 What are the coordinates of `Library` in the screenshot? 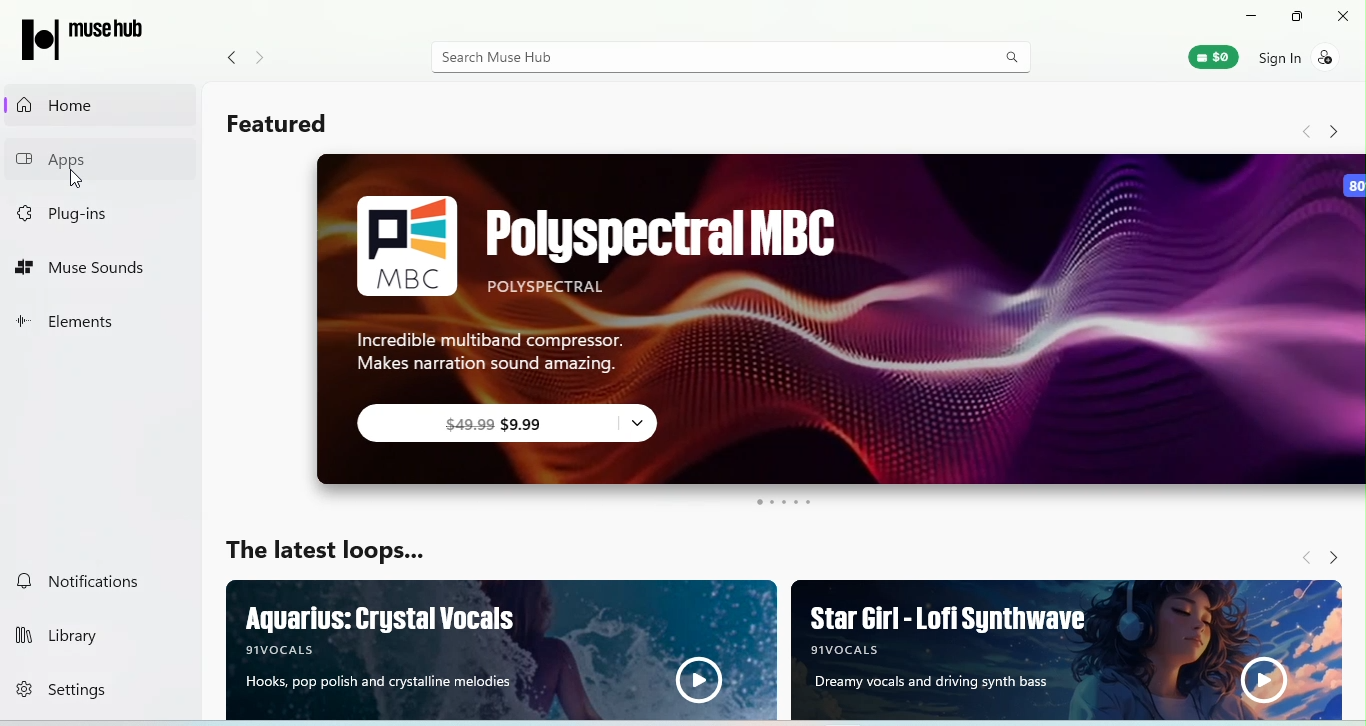 It's located at (83, 632).